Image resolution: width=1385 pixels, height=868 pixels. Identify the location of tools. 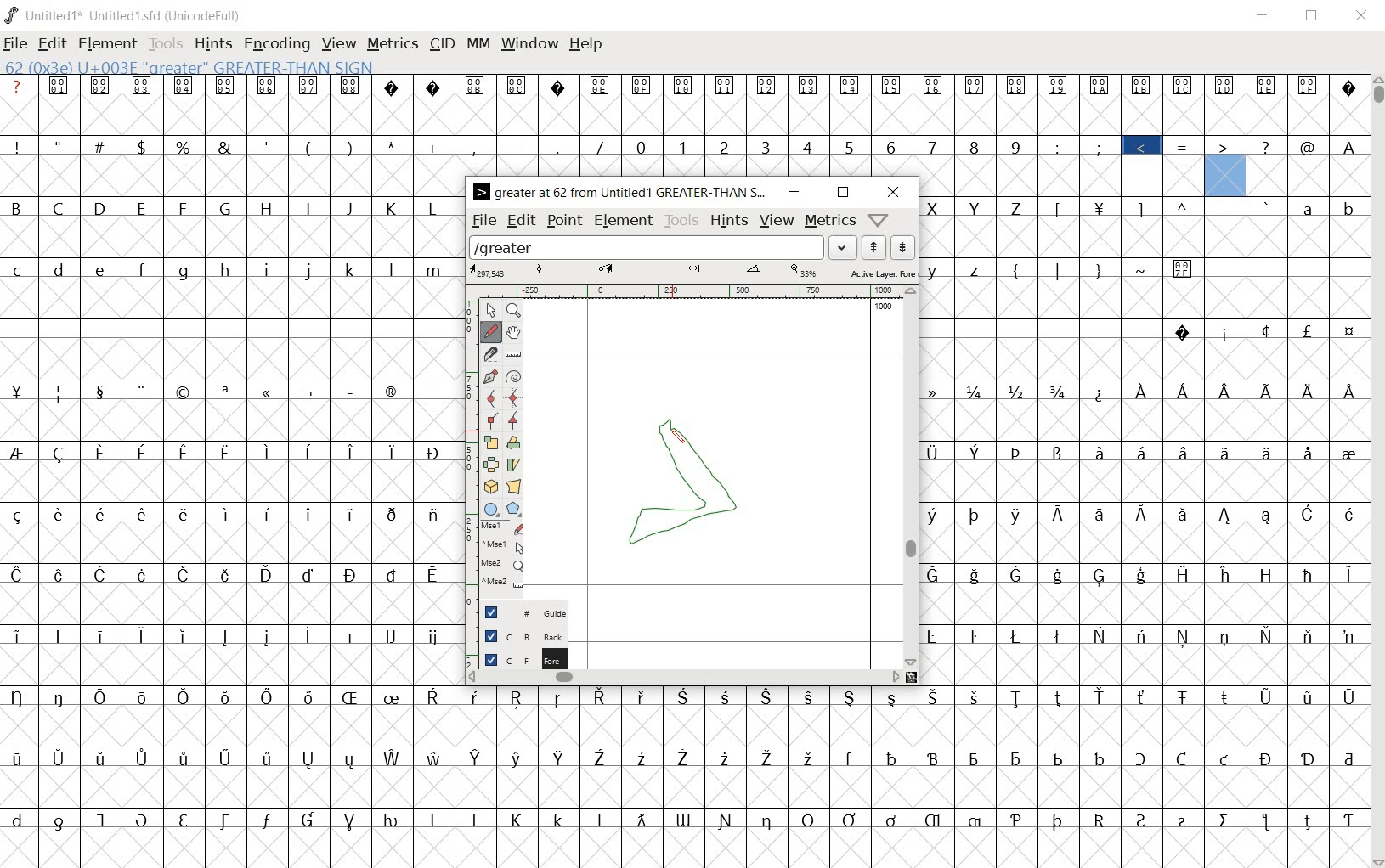
(682, 222).